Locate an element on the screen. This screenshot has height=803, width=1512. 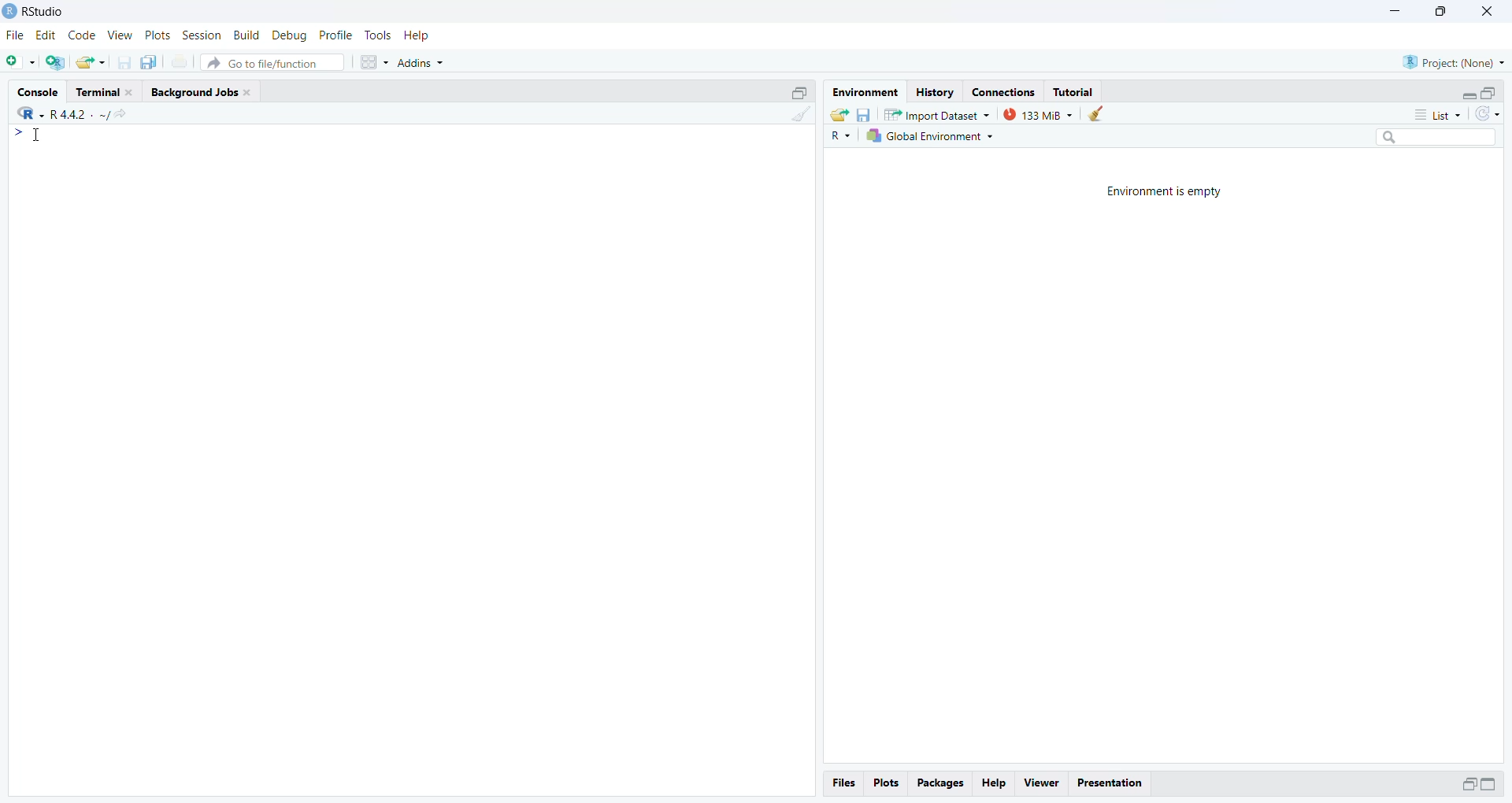
Clear console (CTRL + L) is located at coordinates (802, 117).